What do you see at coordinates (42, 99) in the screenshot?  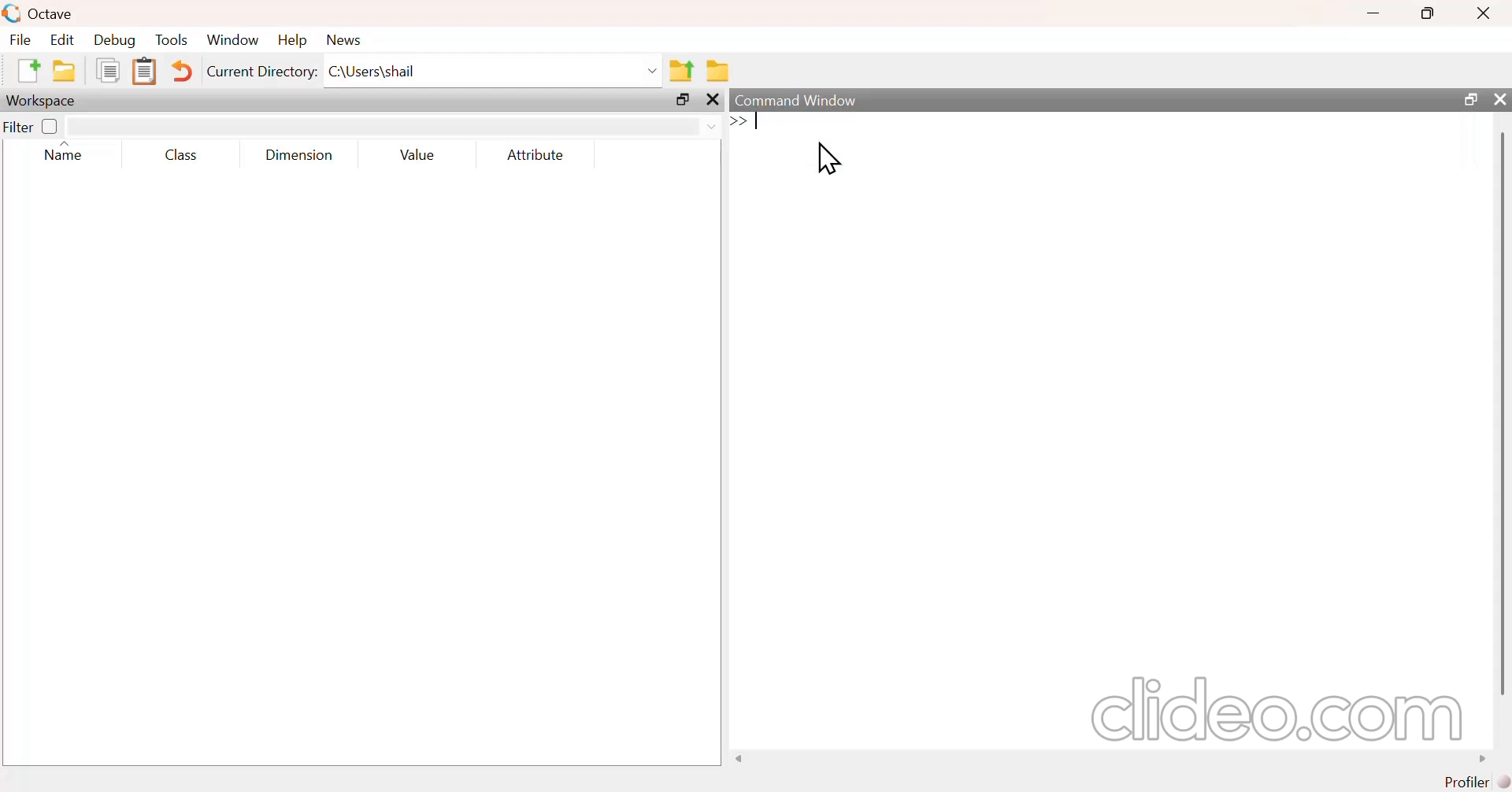 I see `workspace` at bounding box center [42, 99].